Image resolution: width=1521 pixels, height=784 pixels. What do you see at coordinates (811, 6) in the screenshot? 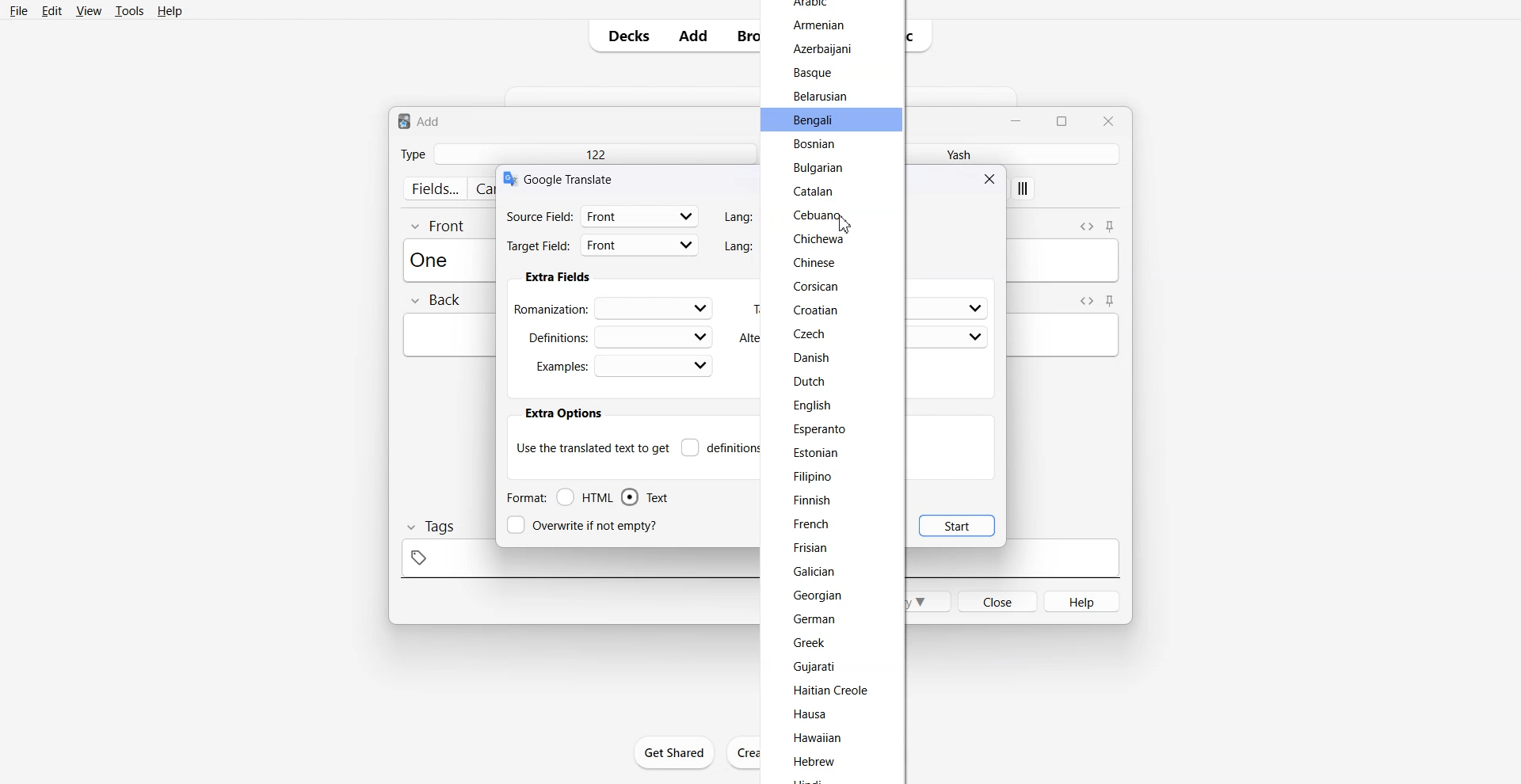
I see `arabic` at bounding box center [811, 6].